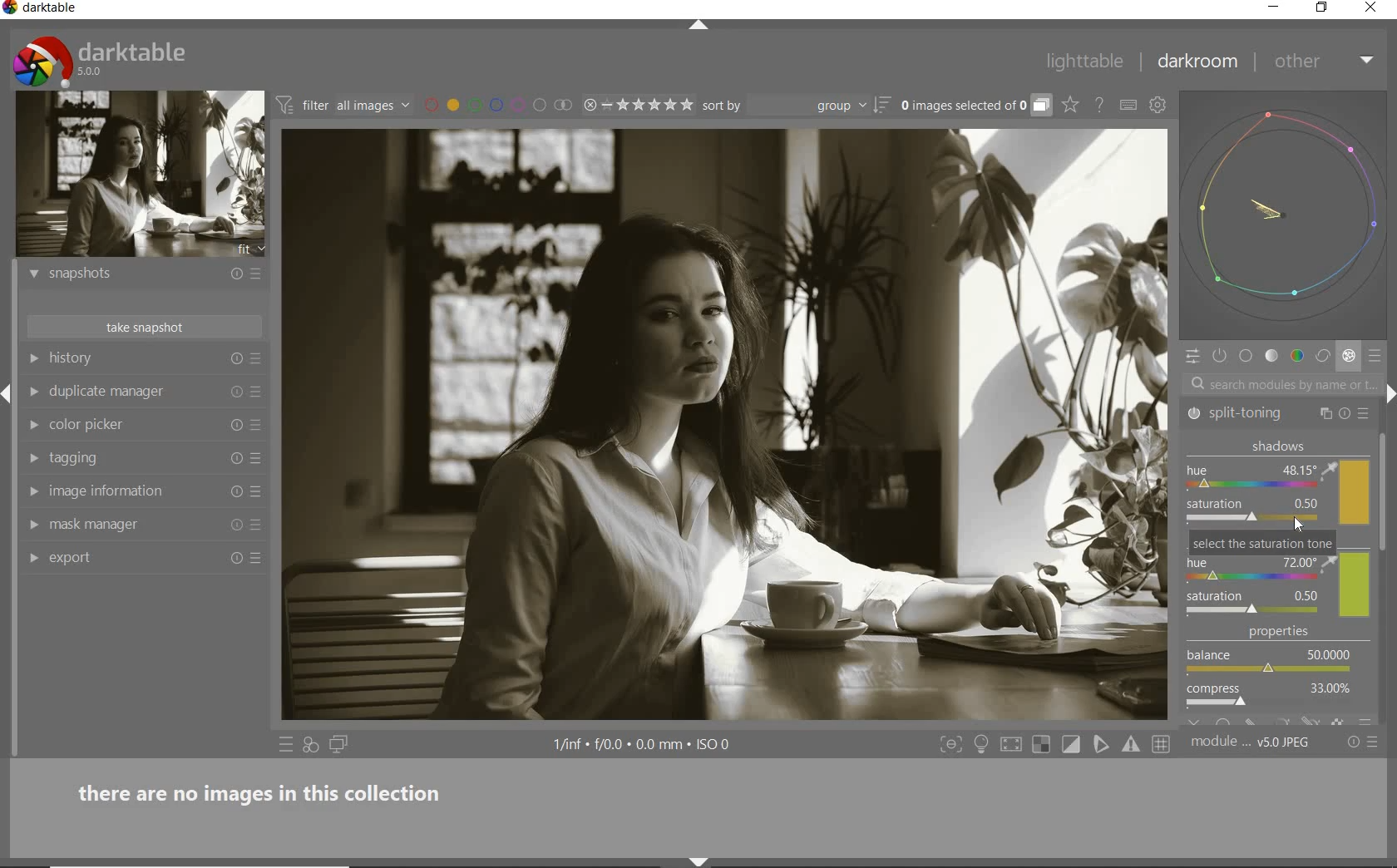 The width and height of the screenshot is (1397, 868). What do you see at coordinates (1163, 743) in the screenshot?
I see `Toggle guide lines` at bounding box center [1163, 743].